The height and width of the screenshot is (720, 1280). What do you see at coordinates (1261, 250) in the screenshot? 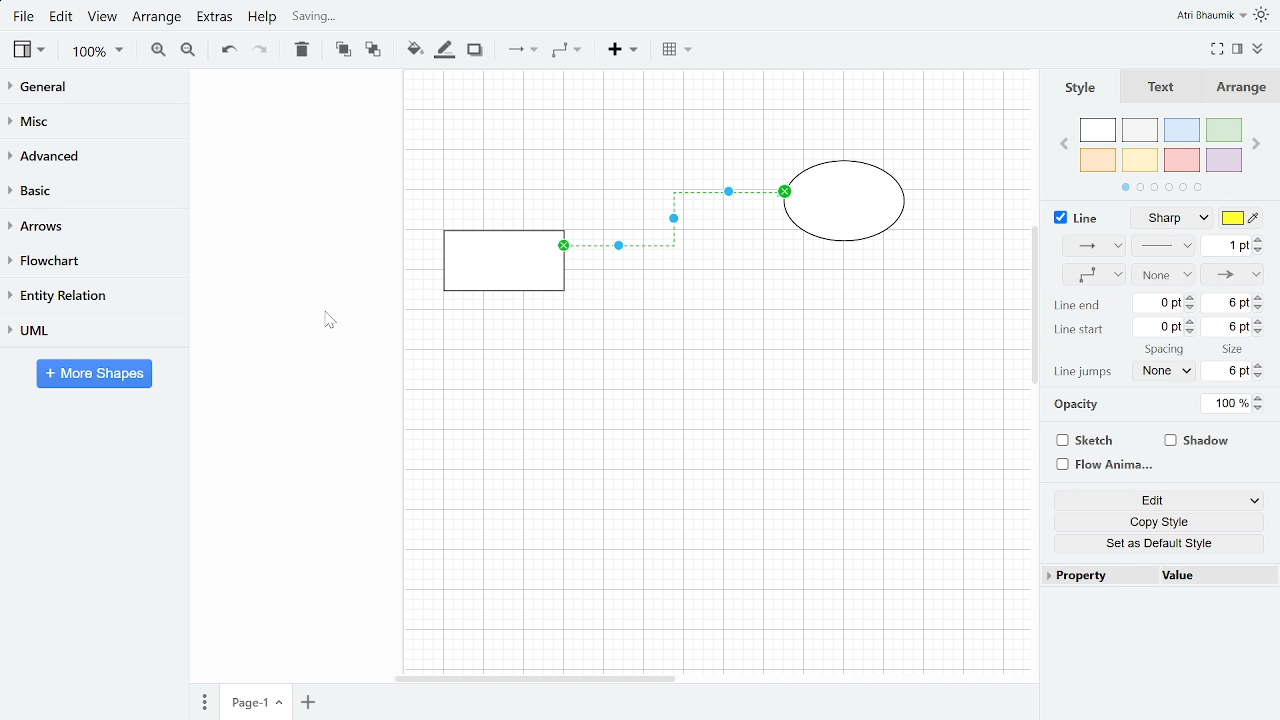
I see `Decrease line width` at bounding box center [1261, 250].